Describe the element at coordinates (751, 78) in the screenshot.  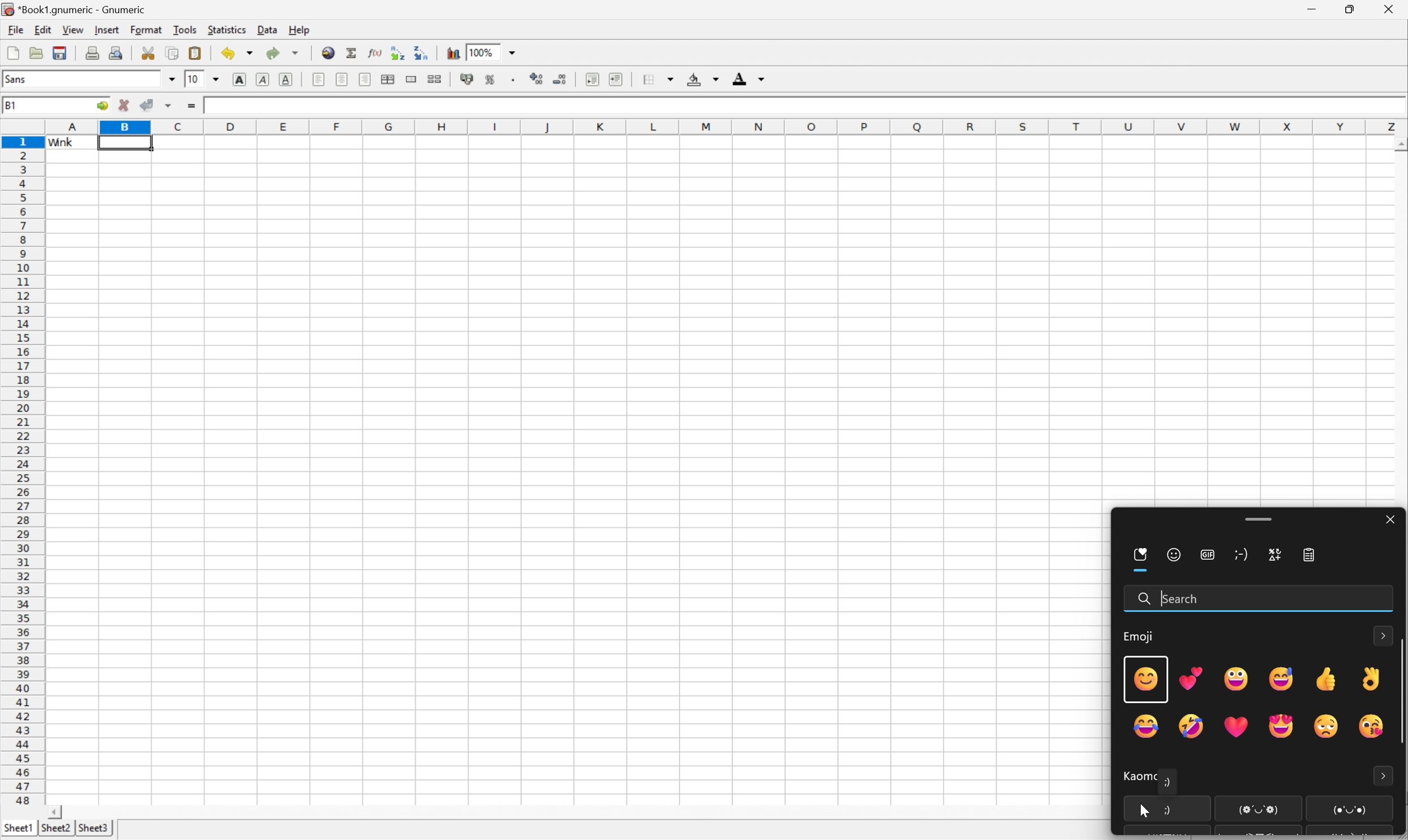
I see `foreground` at that location.